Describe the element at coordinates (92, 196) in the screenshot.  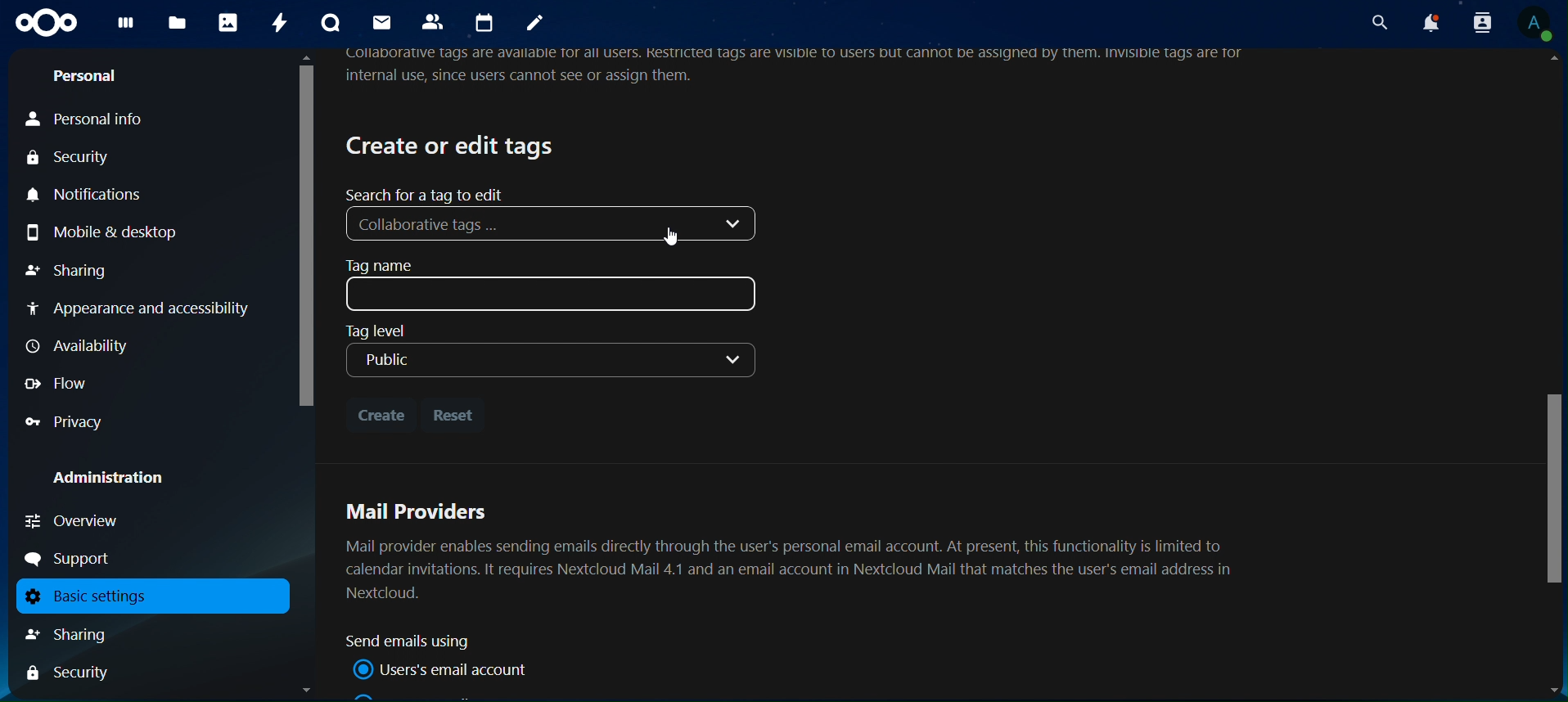
I see `notifications` at that location.